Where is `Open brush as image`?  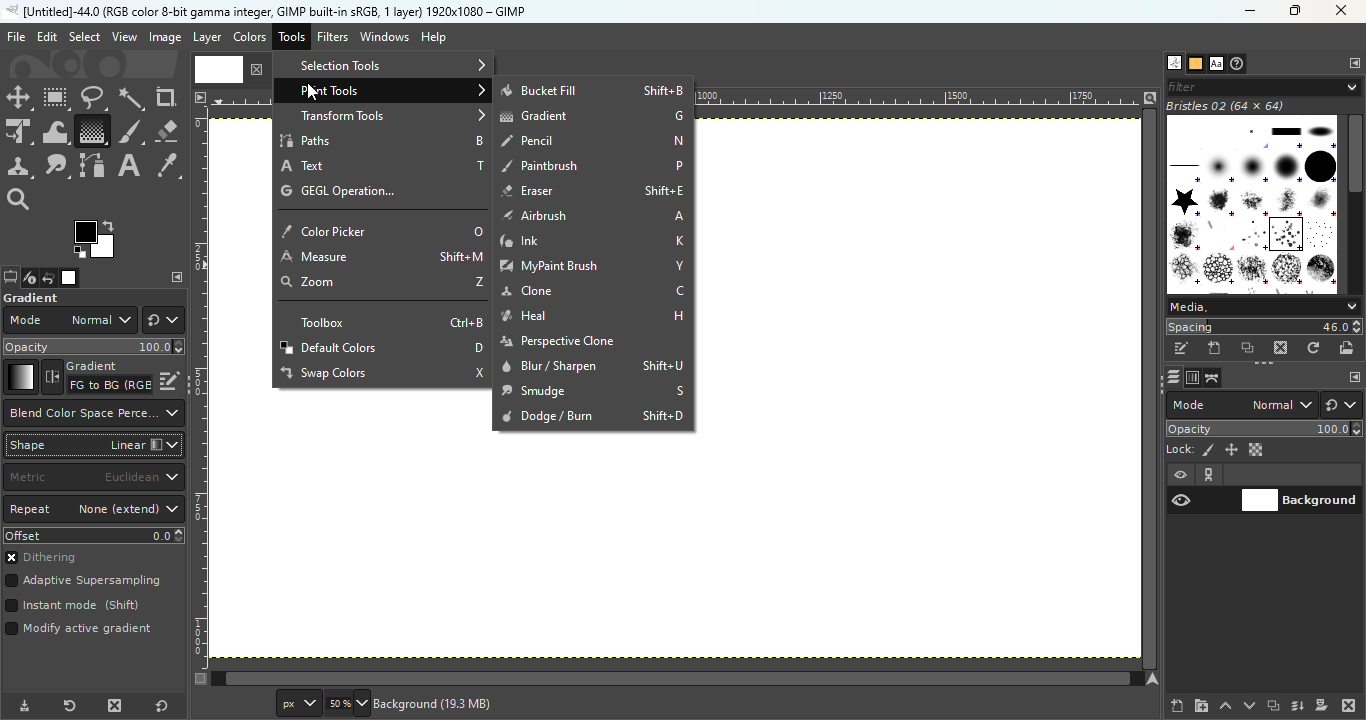
Open brush as image is located at coordinates (1348, 347).